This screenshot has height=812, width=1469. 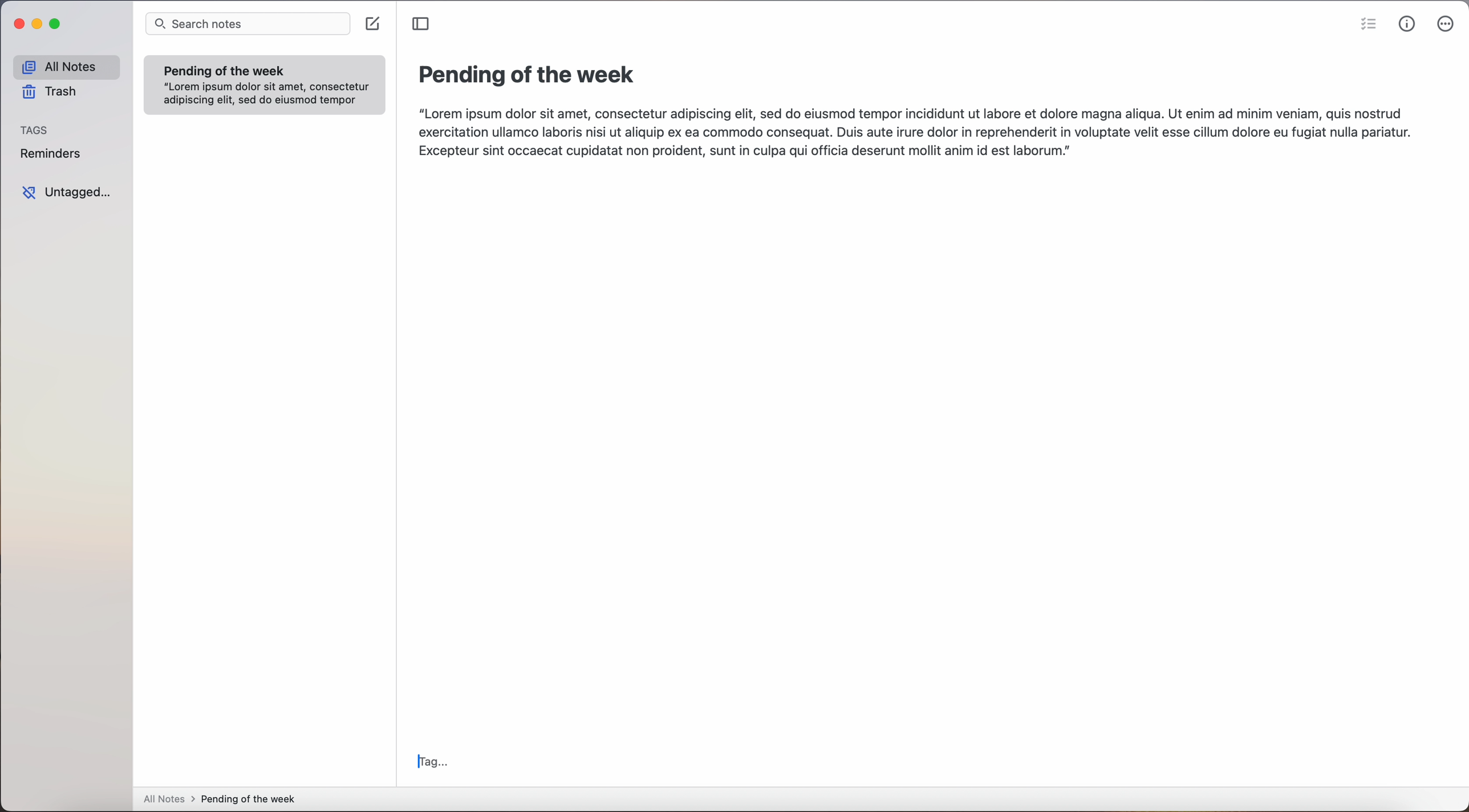 I want to click on close Simplenote, so click(x=17, y=23).